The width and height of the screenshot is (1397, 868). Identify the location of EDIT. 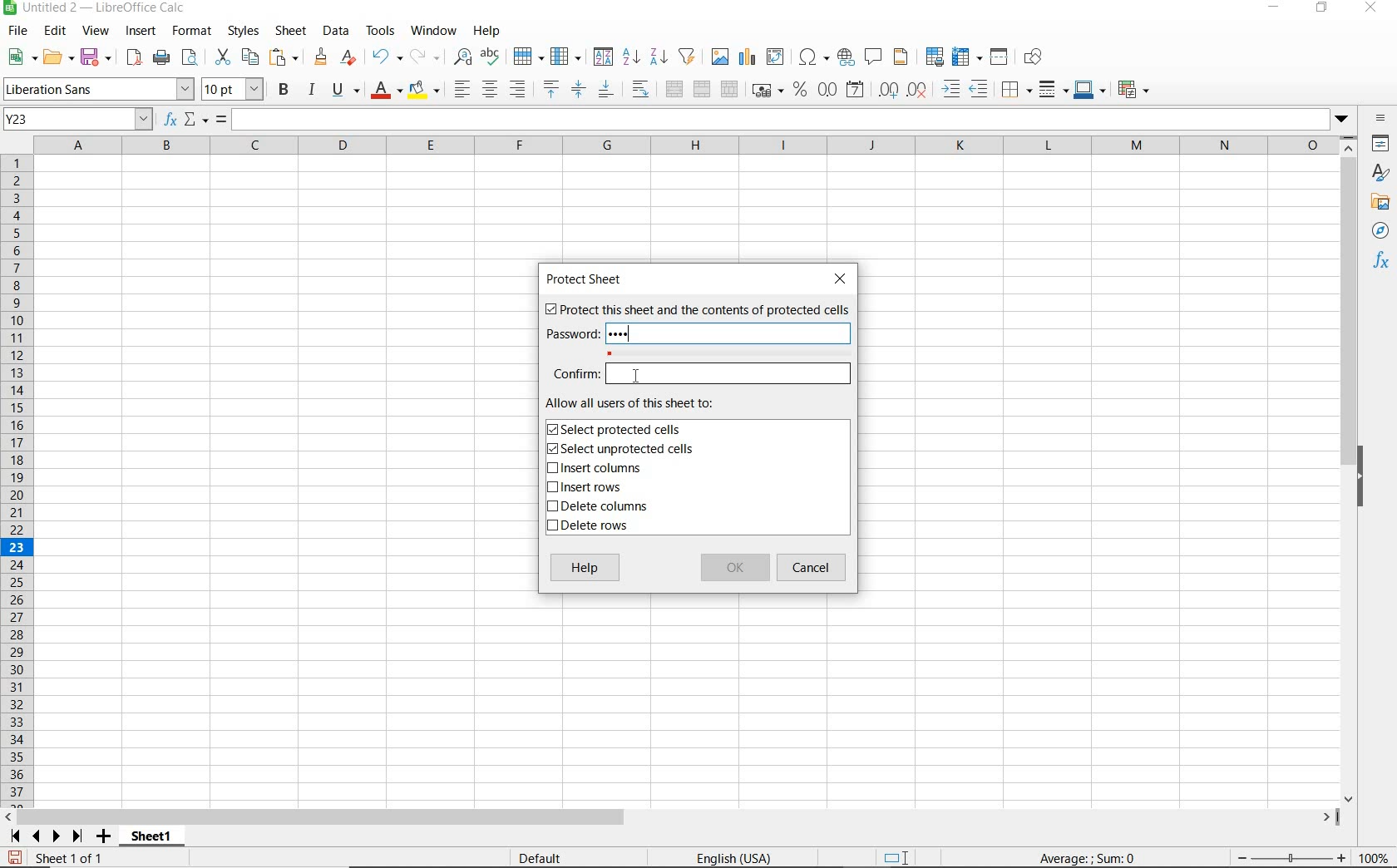
(55, 31).